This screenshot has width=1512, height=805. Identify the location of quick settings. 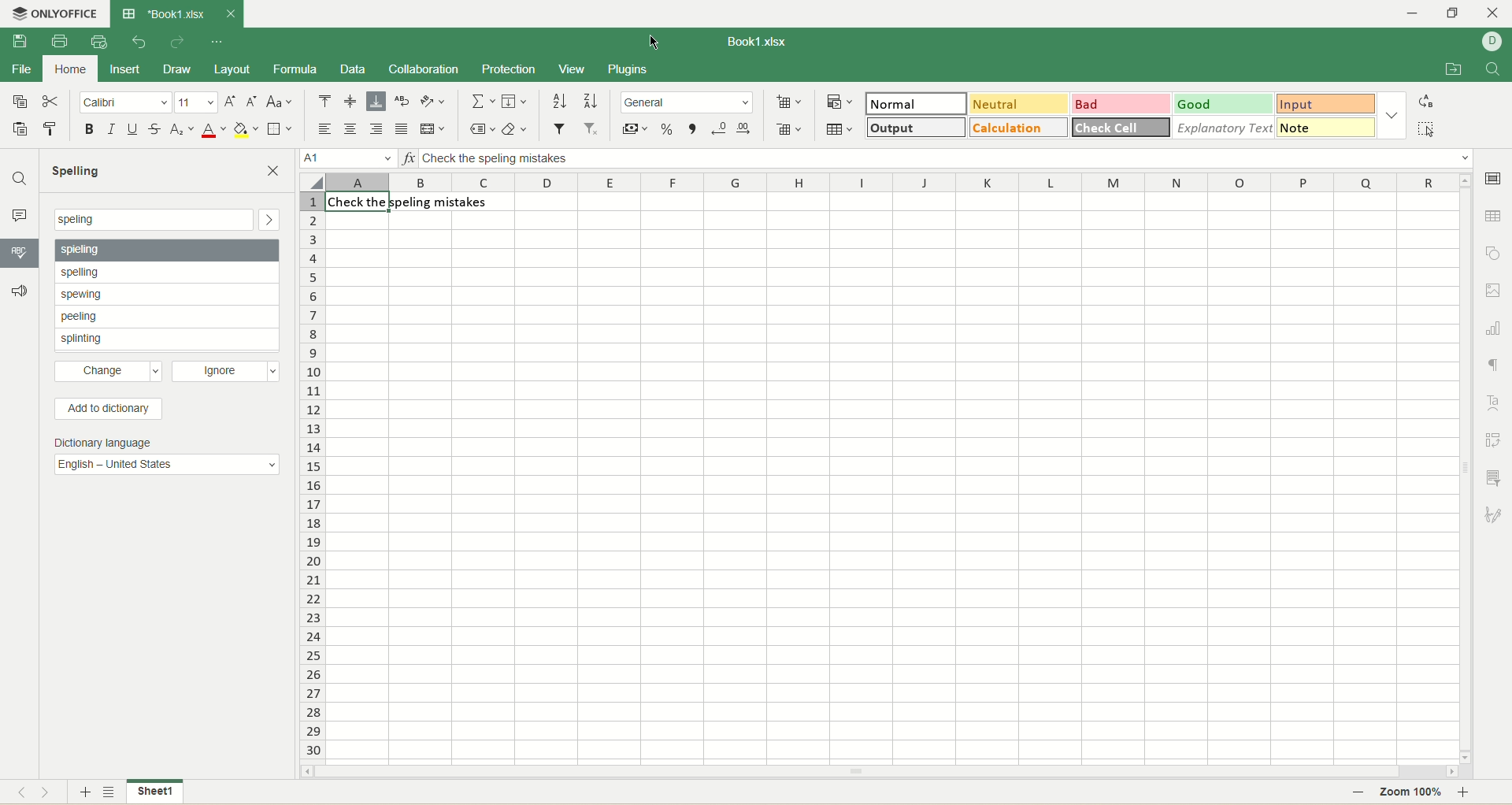
(220, 41).